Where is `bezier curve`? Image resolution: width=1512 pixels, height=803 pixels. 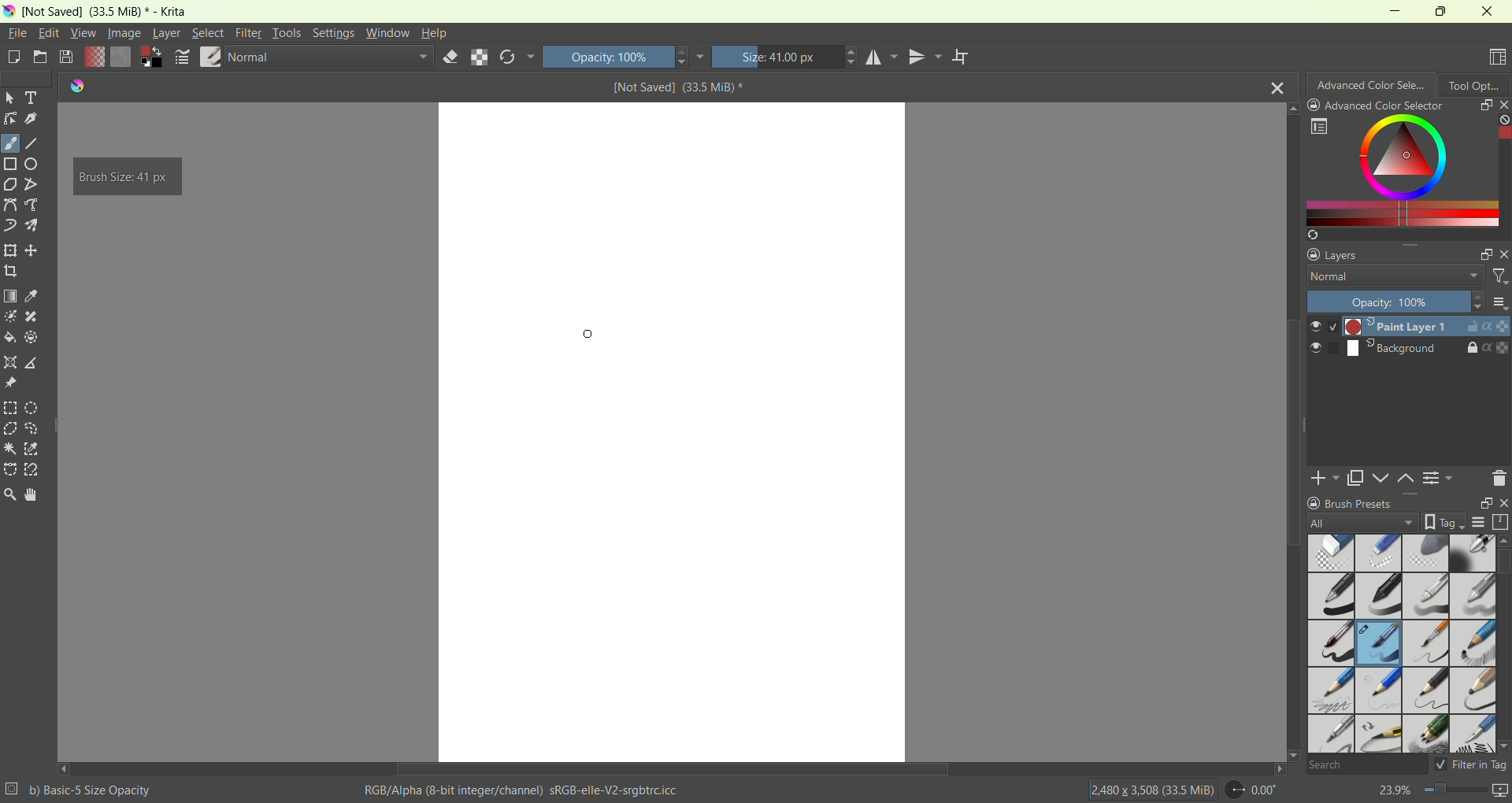
bezier curve is located at coordinates (12, 205).